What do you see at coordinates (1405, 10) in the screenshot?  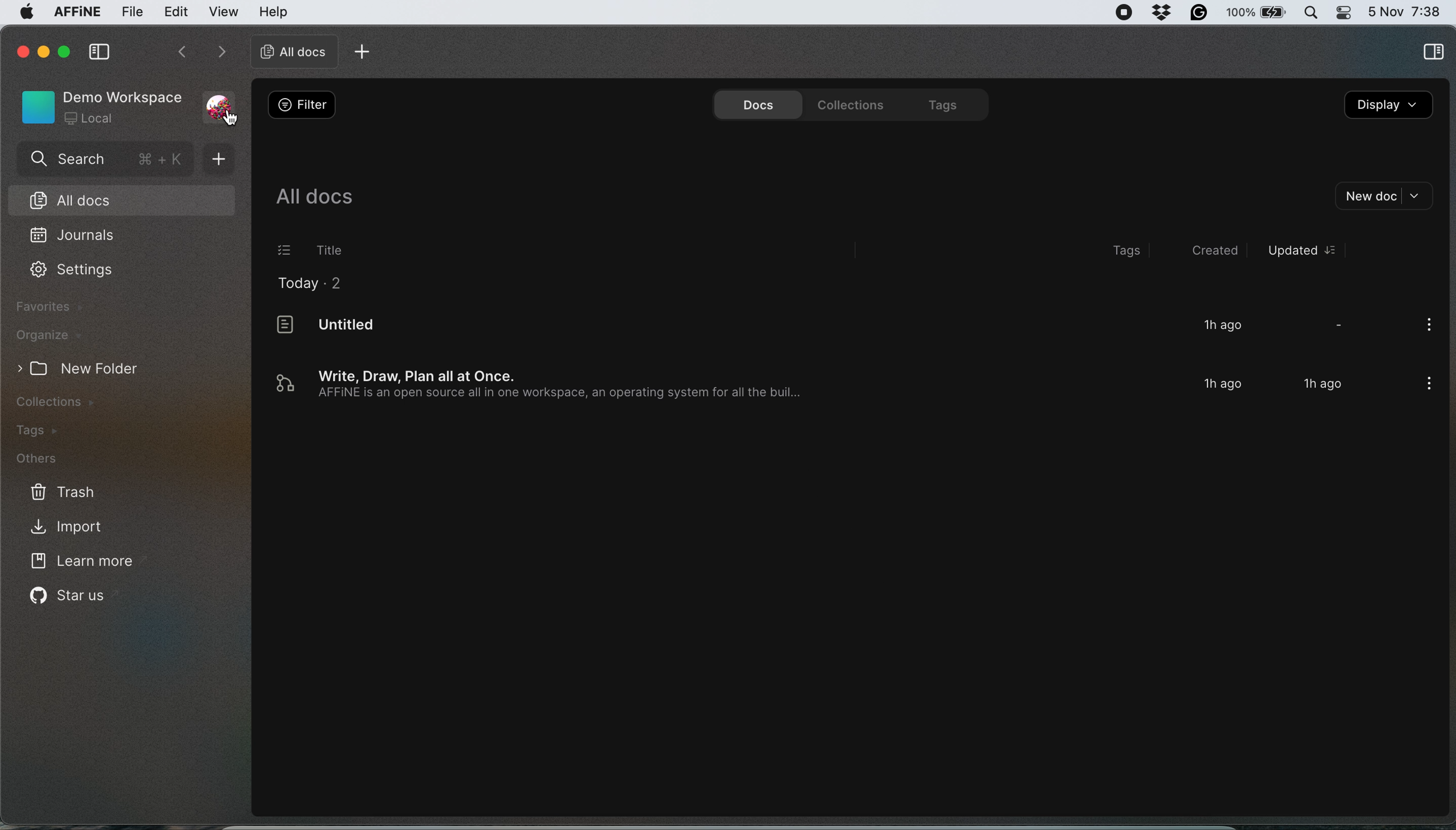 I see `date and time` at bounding box center [1405, 10].